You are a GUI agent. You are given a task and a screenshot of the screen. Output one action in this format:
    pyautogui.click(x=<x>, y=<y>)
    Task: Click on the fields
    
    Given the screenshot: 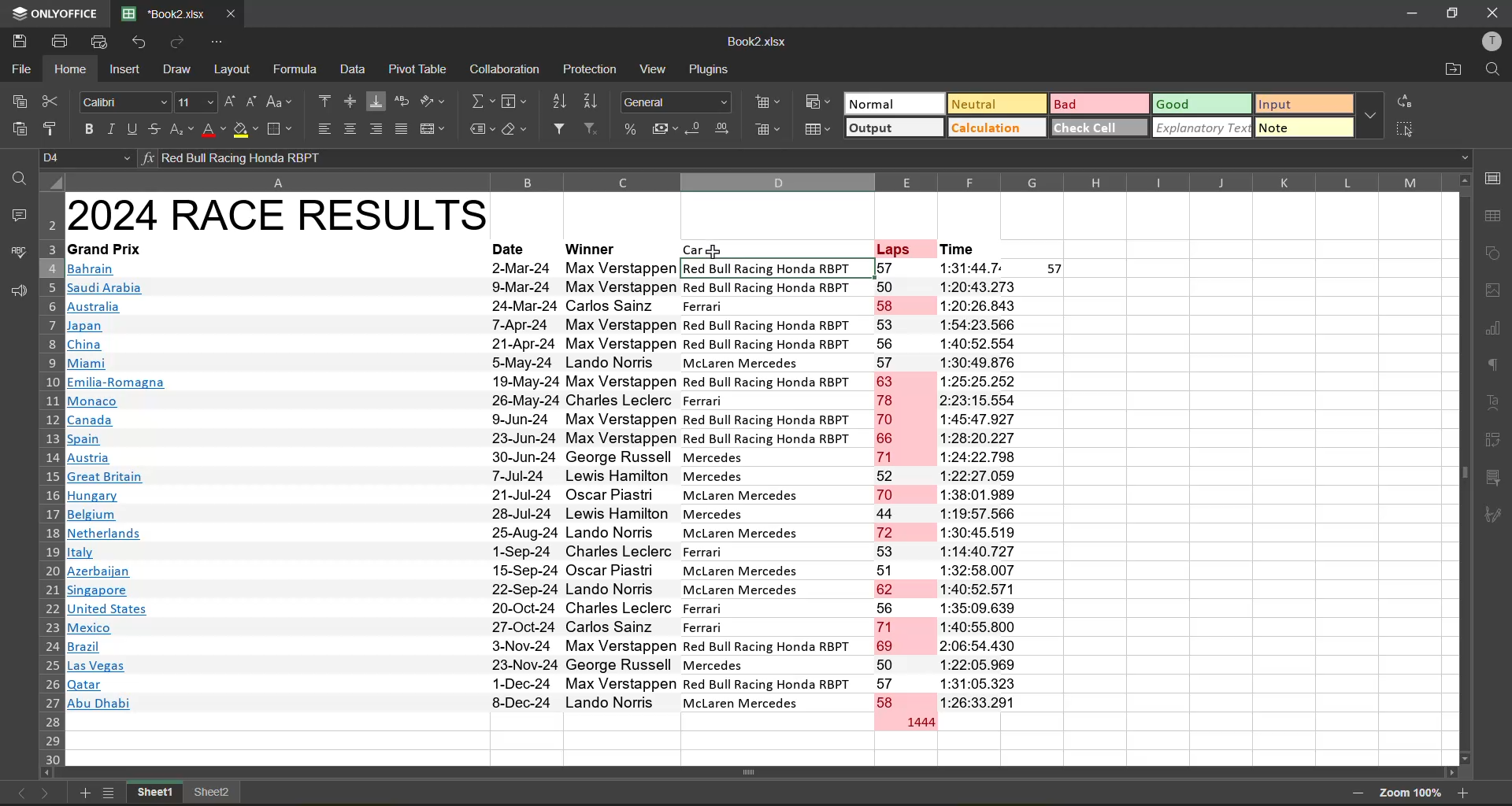 What is the action you would take?
    pyautogui.click(x=517, y=102)
    